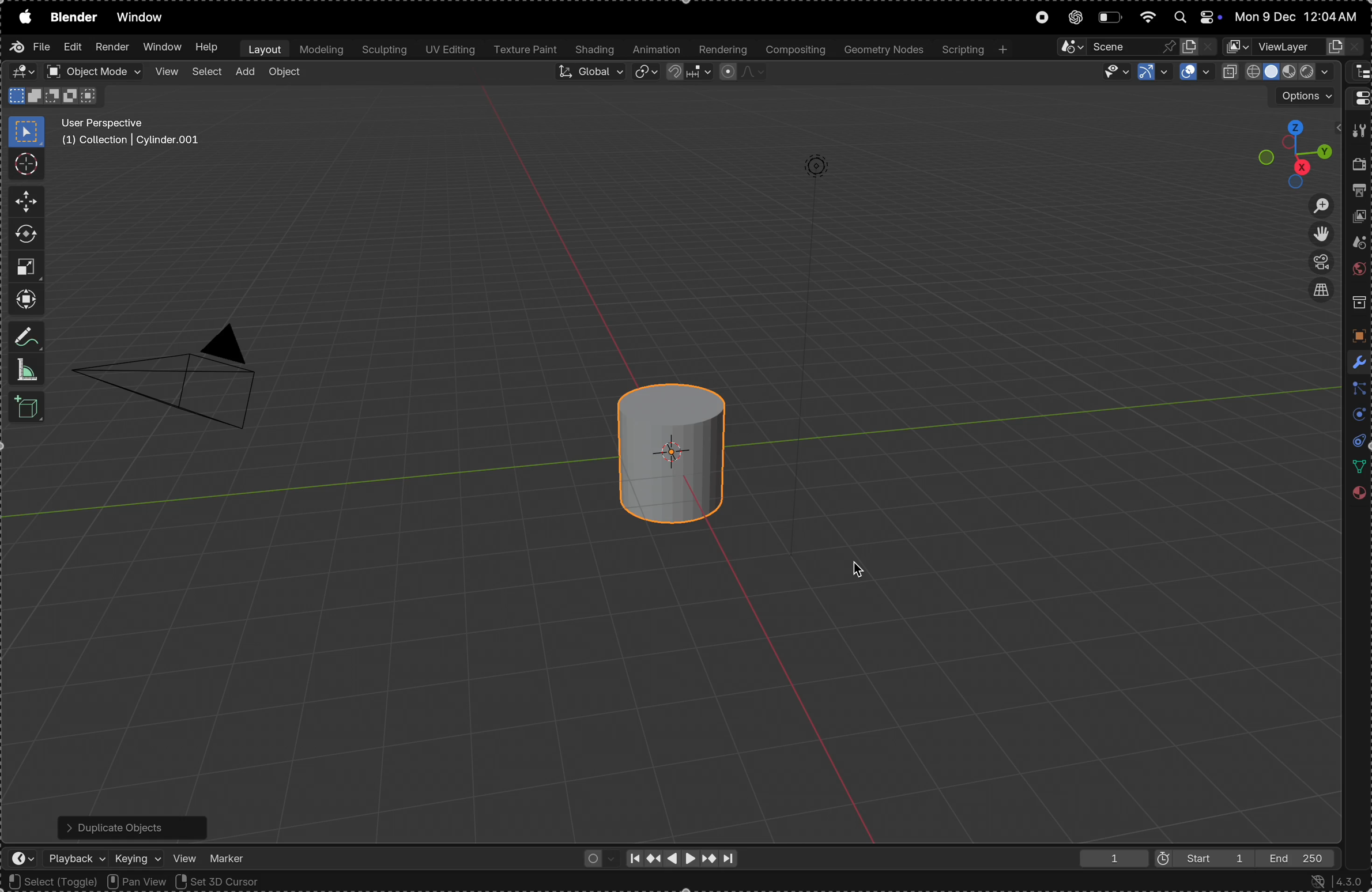 Image resolution: width=1372 pixels, height=892 pixels. I want to click on layers, so click(1355, 416).